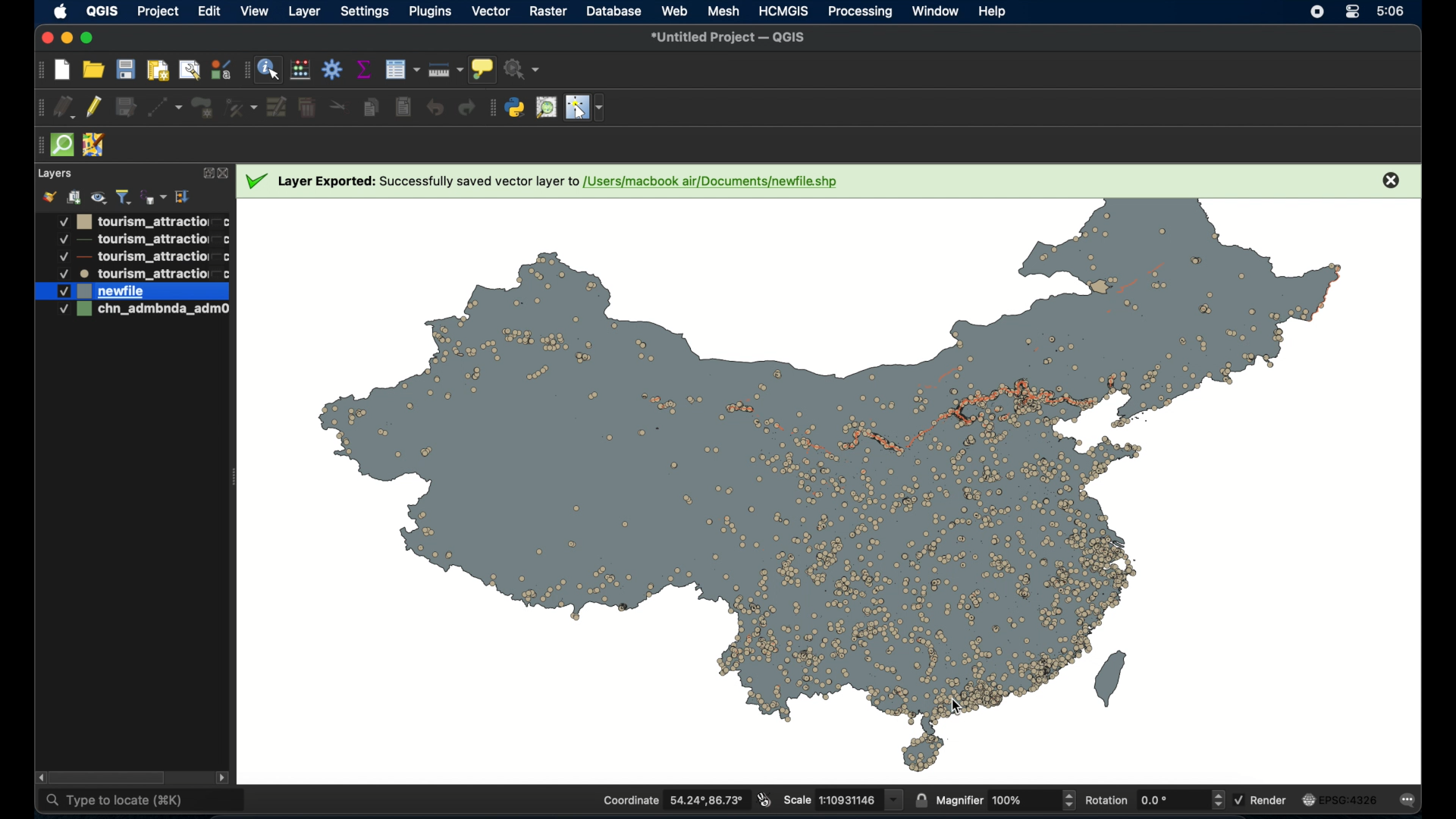  I want to click on close, so click(225, 174).